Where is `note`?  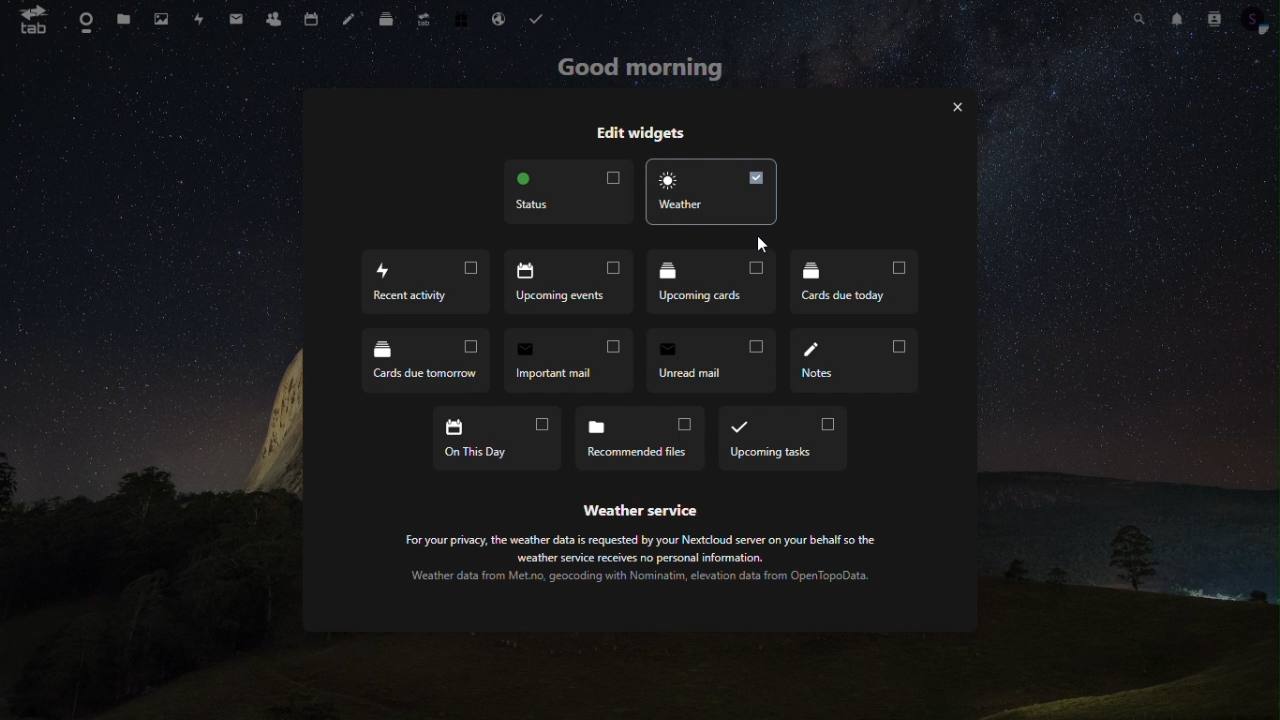 note is located at coordinates (350, 20).